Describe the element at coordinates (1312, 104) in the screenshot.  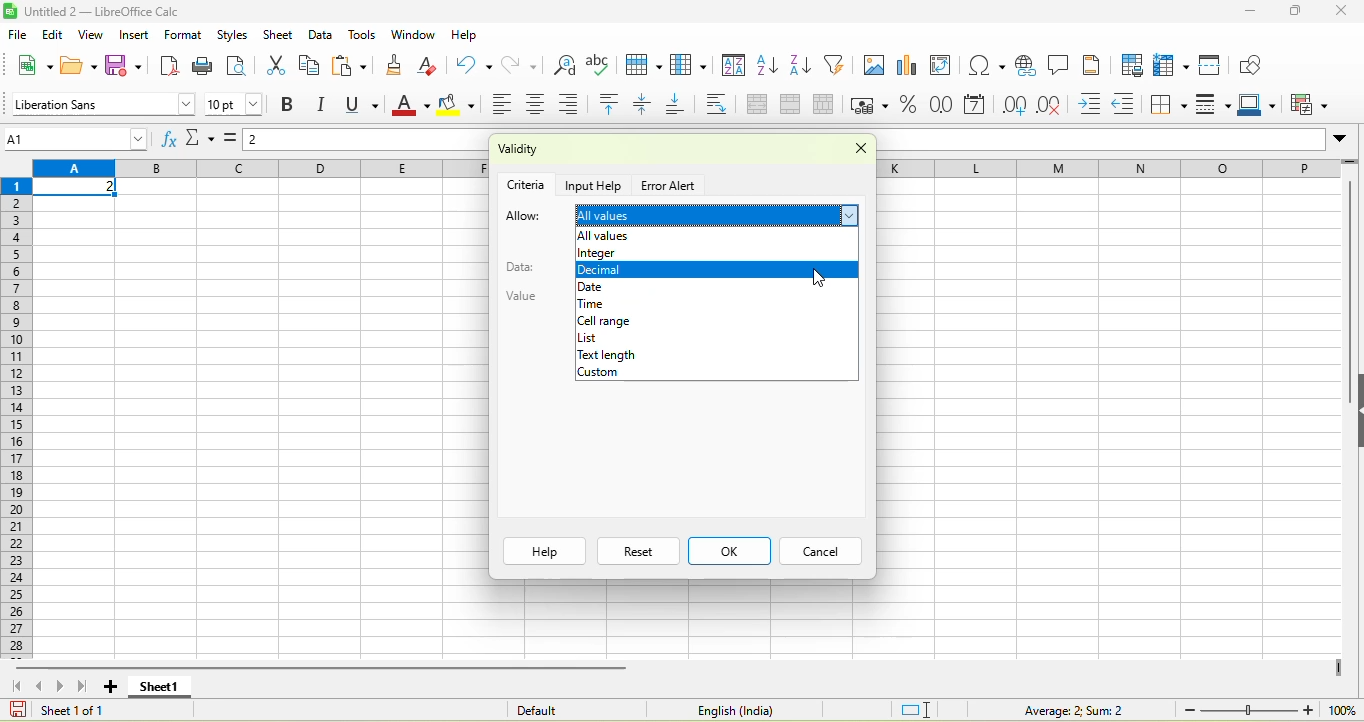
I see `conditional` at that location.